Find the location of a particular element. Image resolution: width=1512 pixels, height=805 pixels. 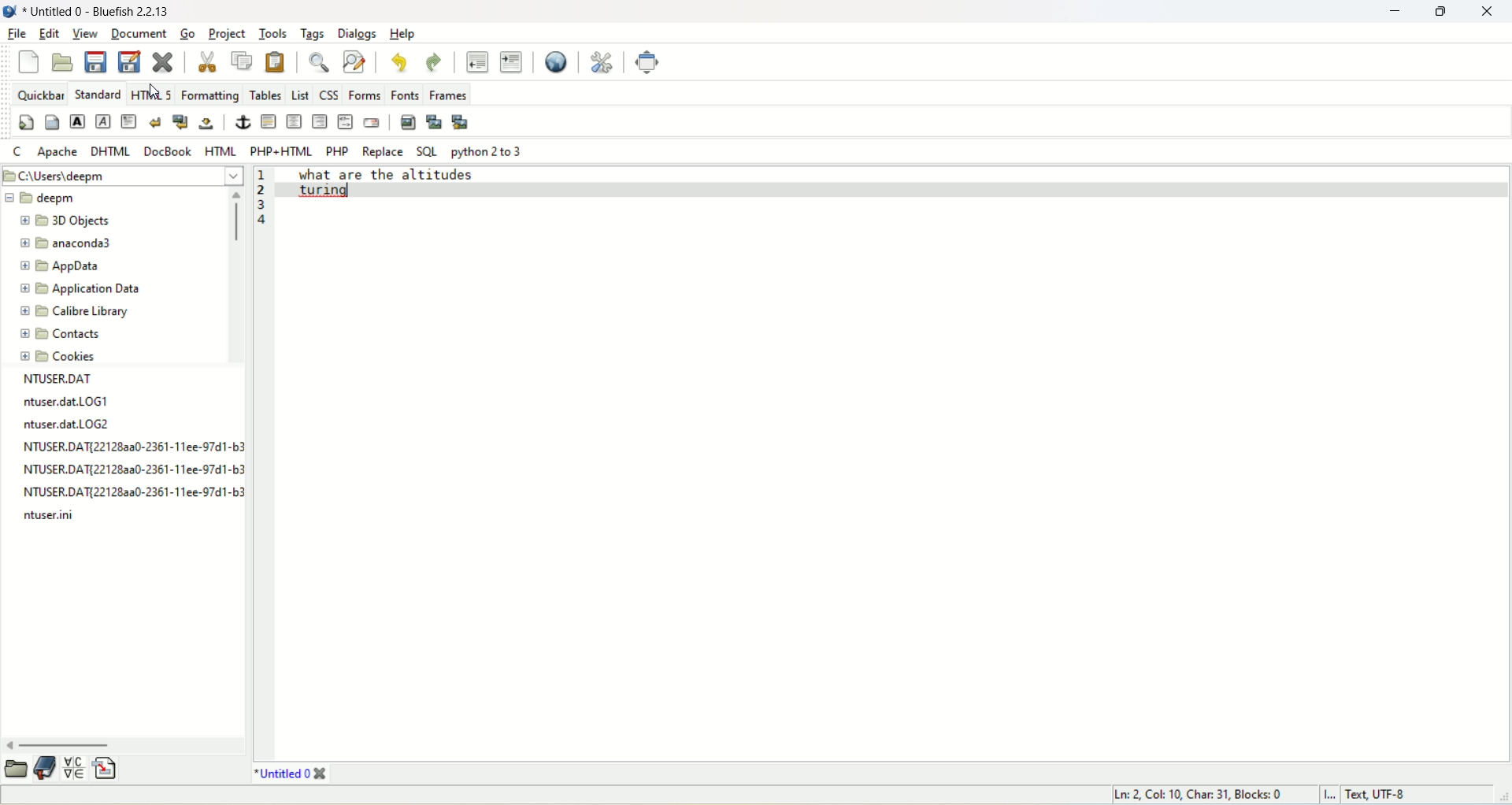

restore down is located at coordinates (1440, 11).